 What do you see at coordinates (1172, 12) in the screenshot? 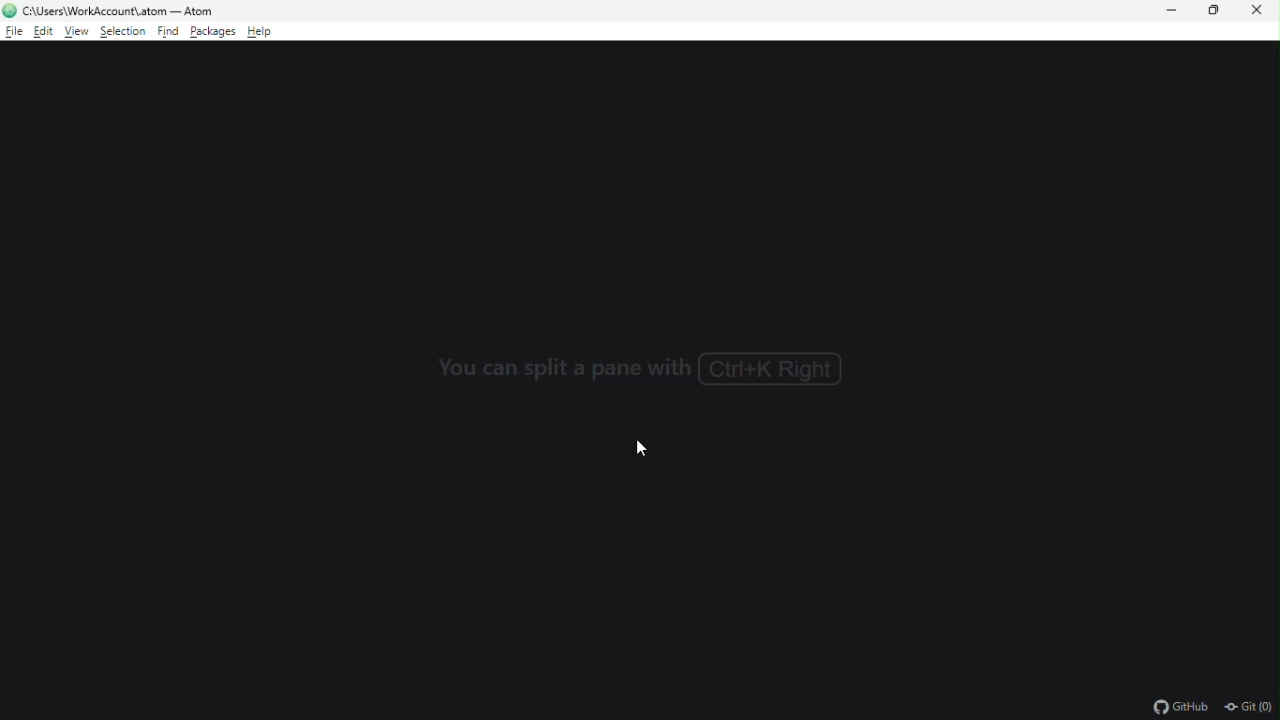
I see `minimize` at bounding box center [1172, 12].